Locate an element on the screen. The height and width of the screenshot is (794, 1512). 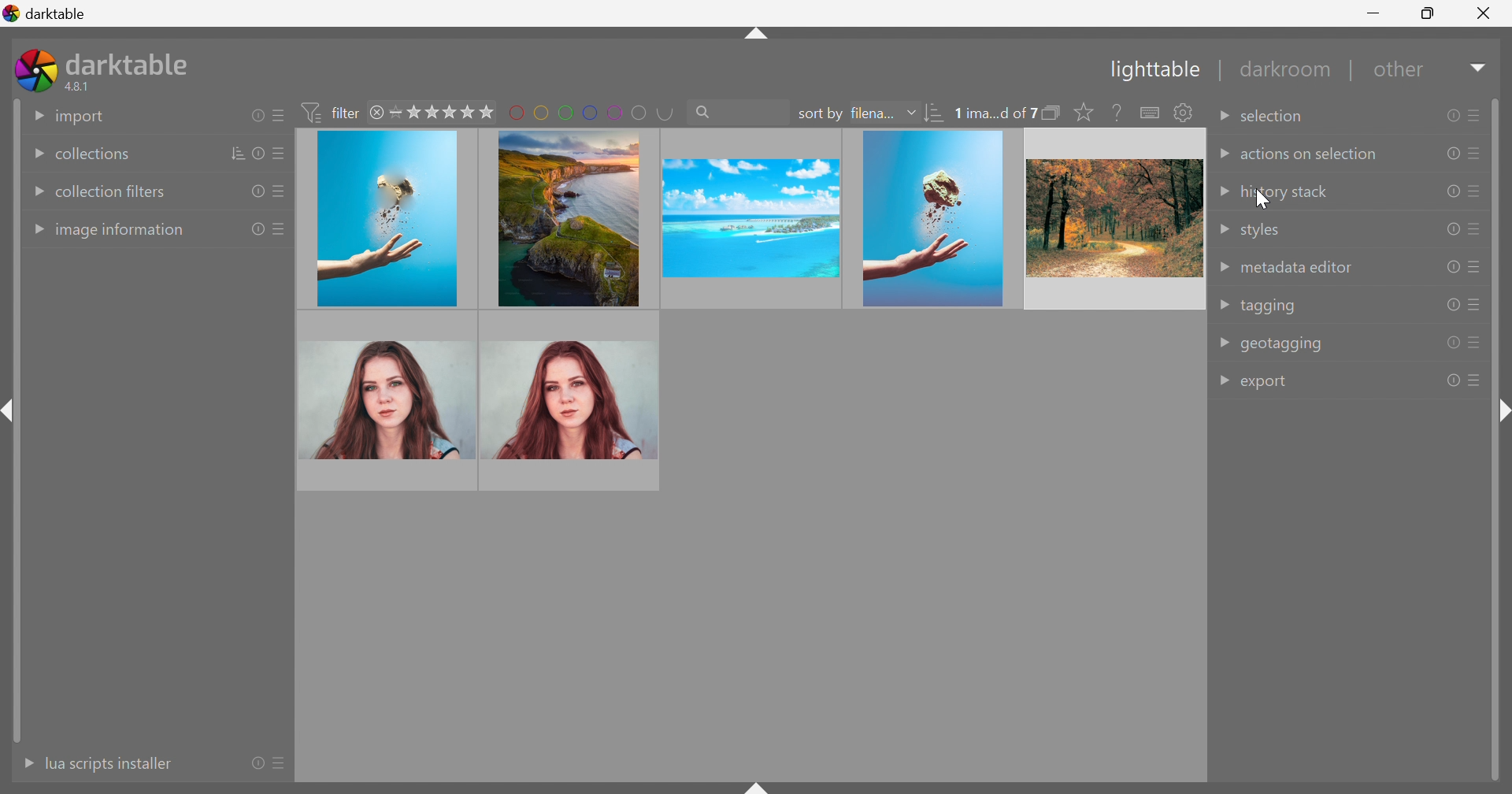
Drop Down is located at coordinates (1221, 380).